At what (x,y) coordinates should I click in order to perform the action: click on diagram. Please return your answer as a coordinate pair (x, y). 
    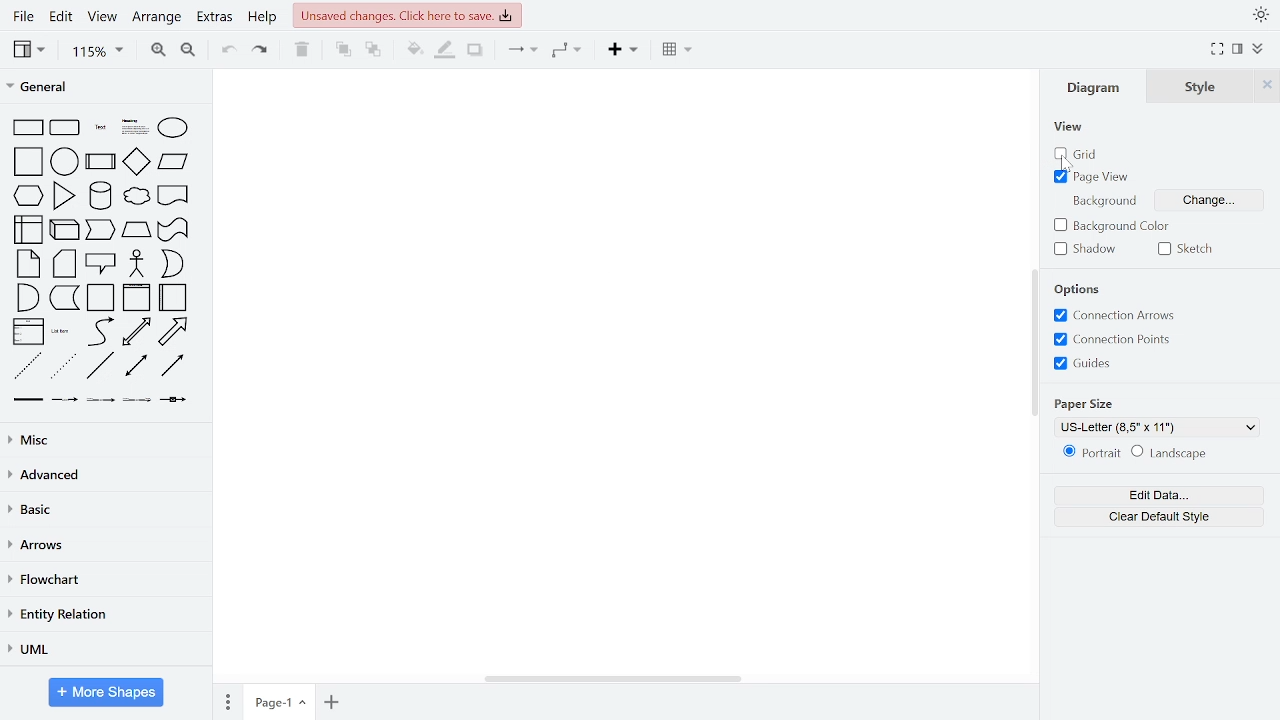
    Looking at the image, I should click on (1097, 89).